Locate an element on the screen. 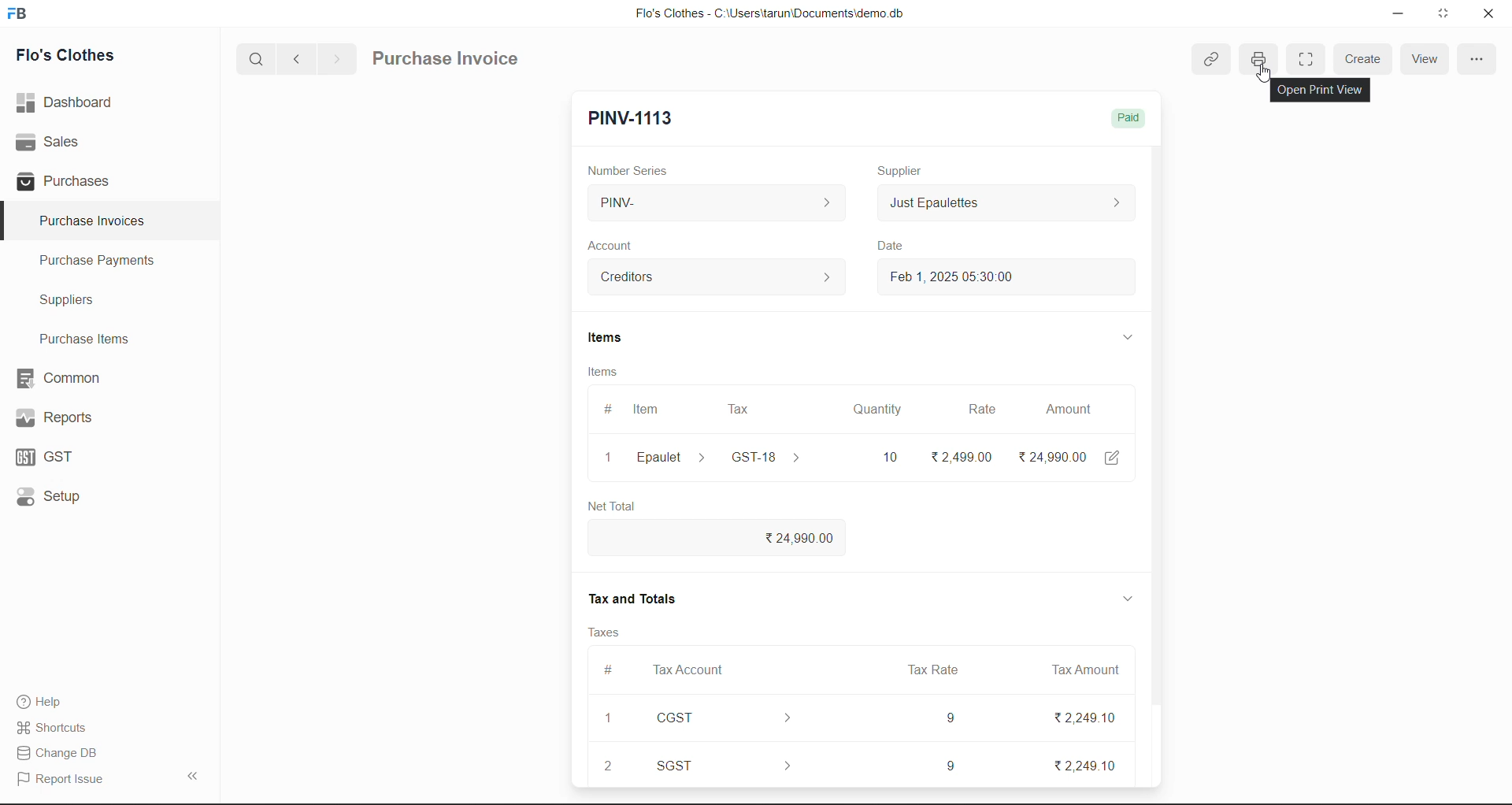 The image size is (1512, 805). 1 is located at coordinates (603, 458).